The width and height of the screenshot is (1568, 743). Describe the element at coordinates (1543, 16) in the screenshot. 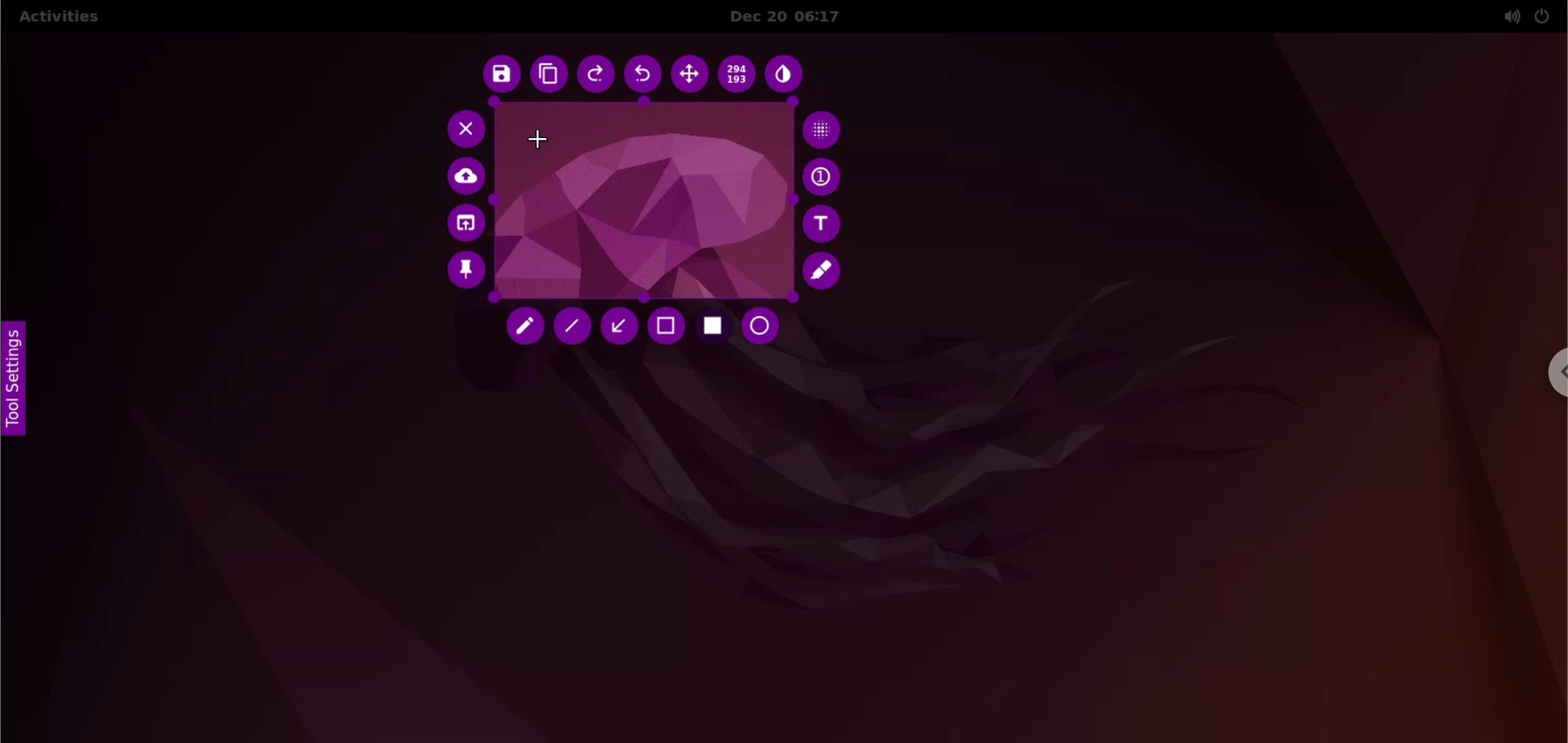

I see `power options` at that location.